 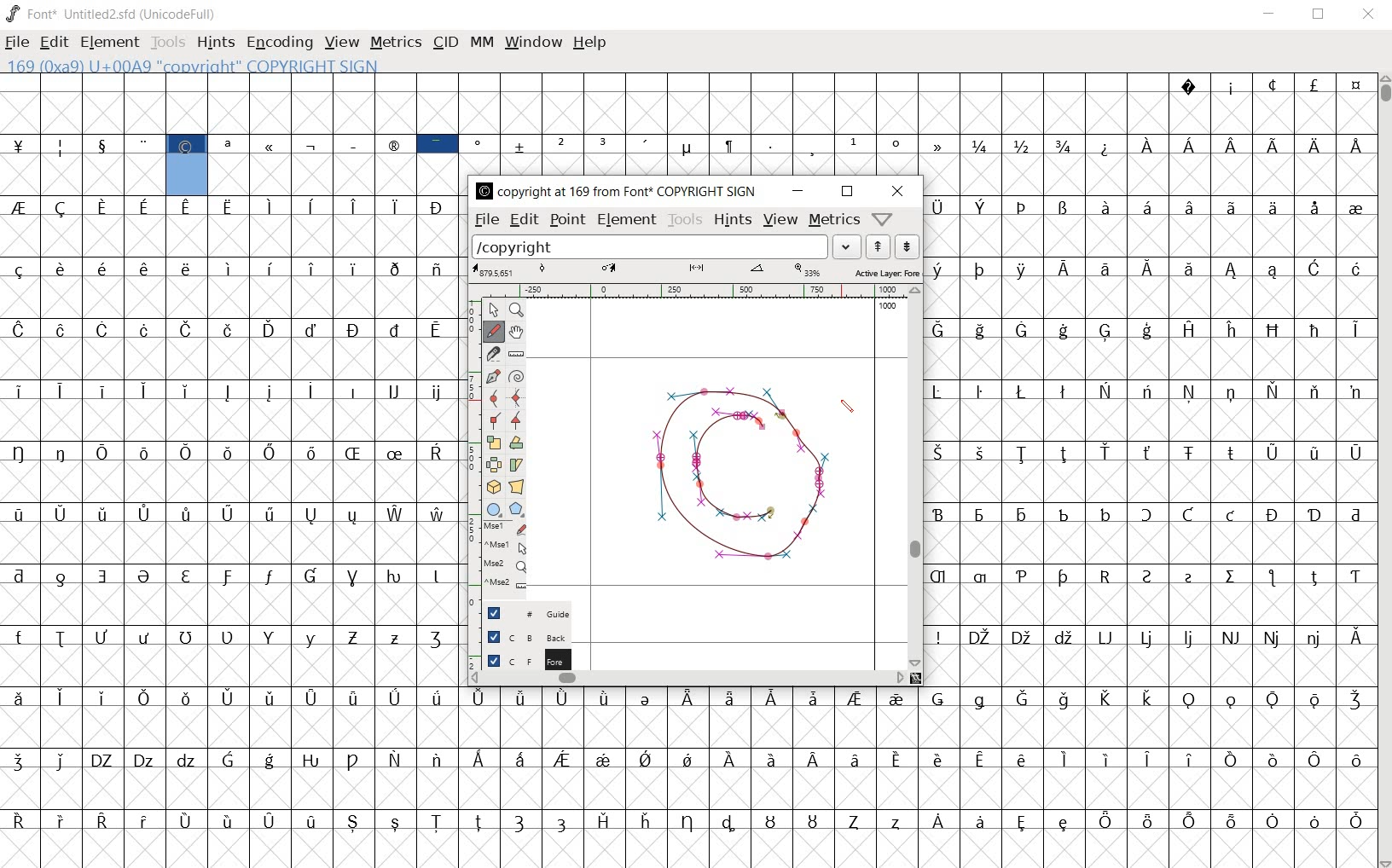 I want to click on close, so click(x=1369, y=14).